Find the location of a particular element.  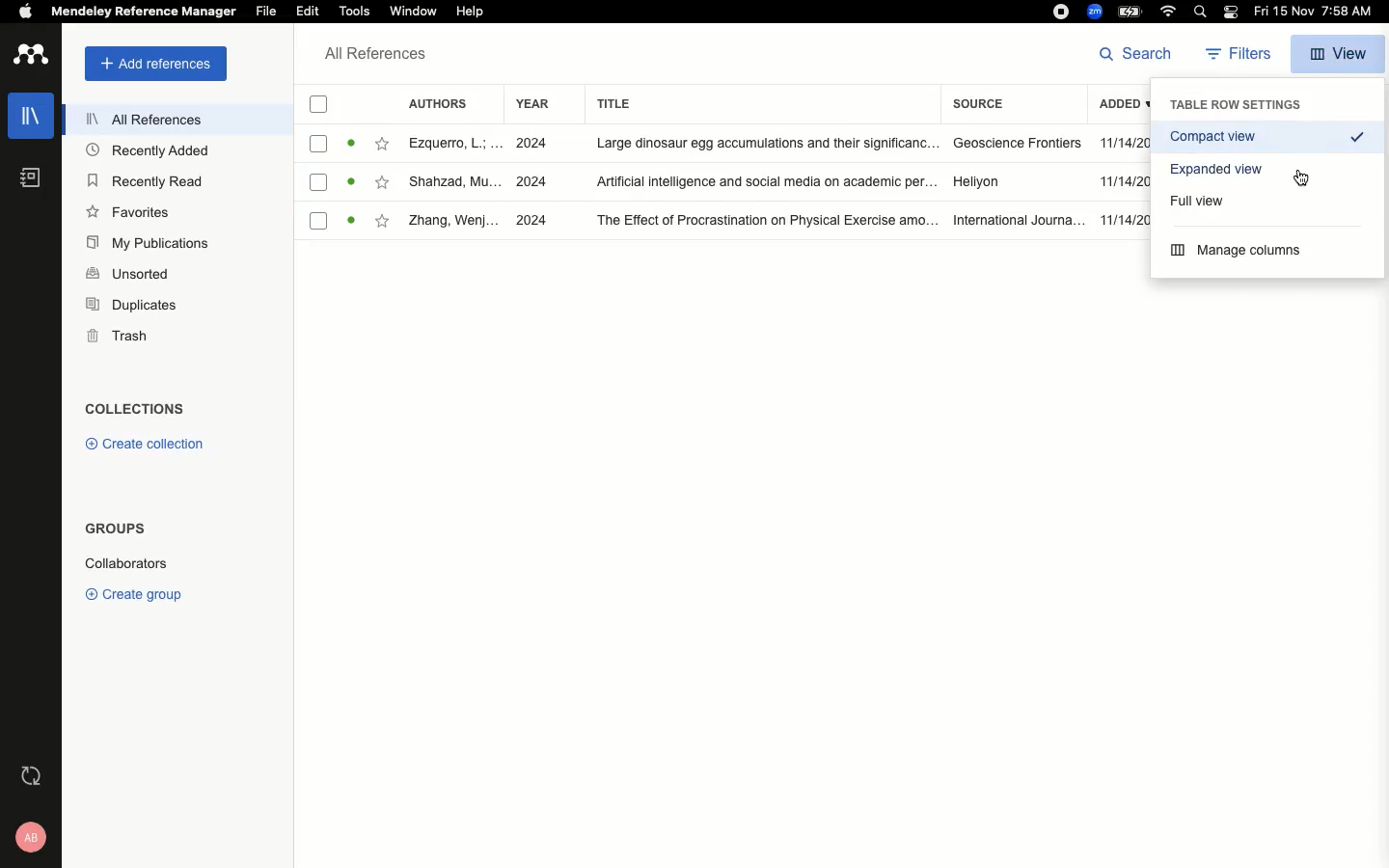

Full view is located at coordinates (1201, 199).